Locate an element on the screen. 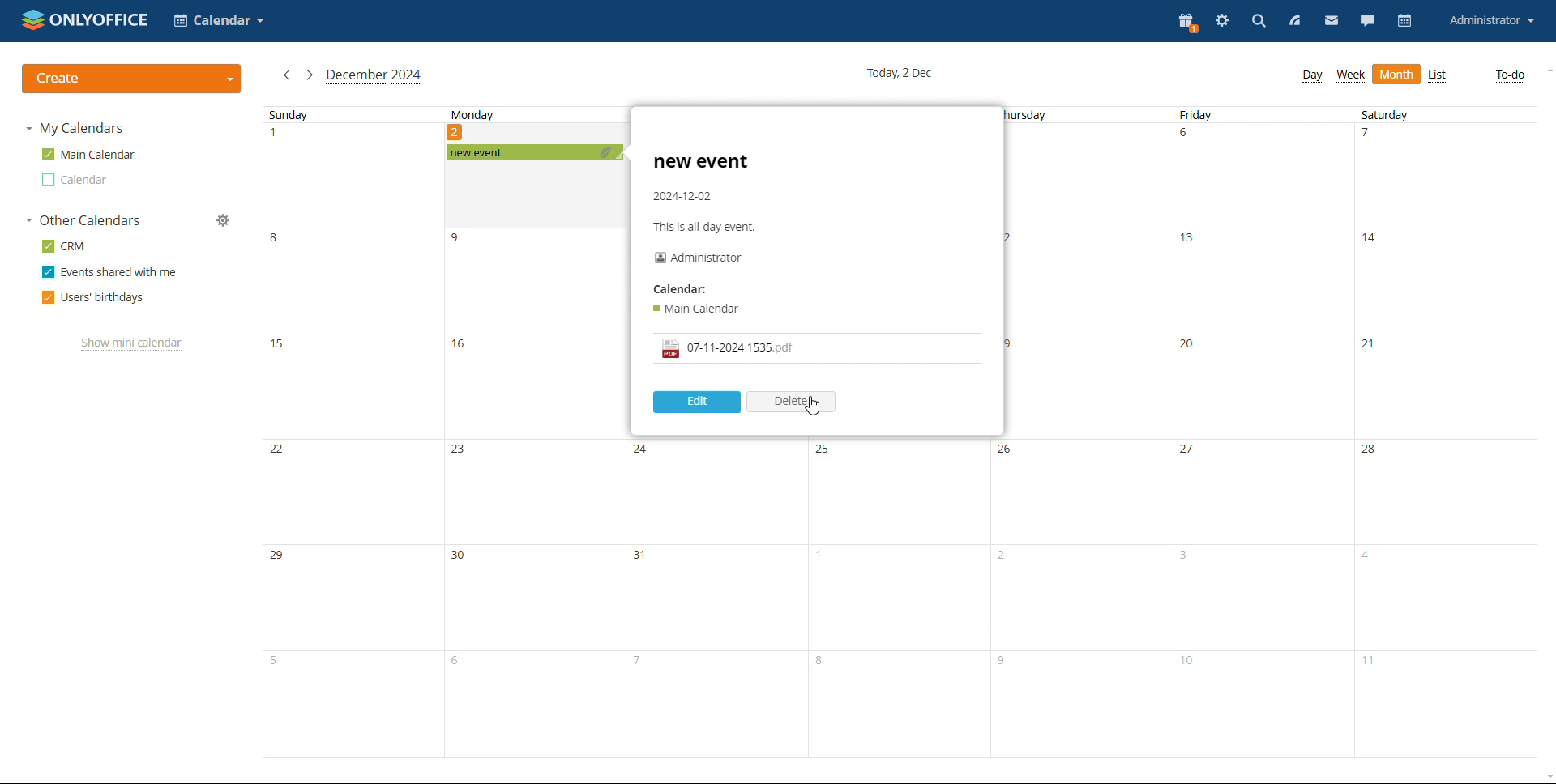 Image resolution: width=1556 pixels, height=784 pixels. next month is located at coordinates (310, 76).